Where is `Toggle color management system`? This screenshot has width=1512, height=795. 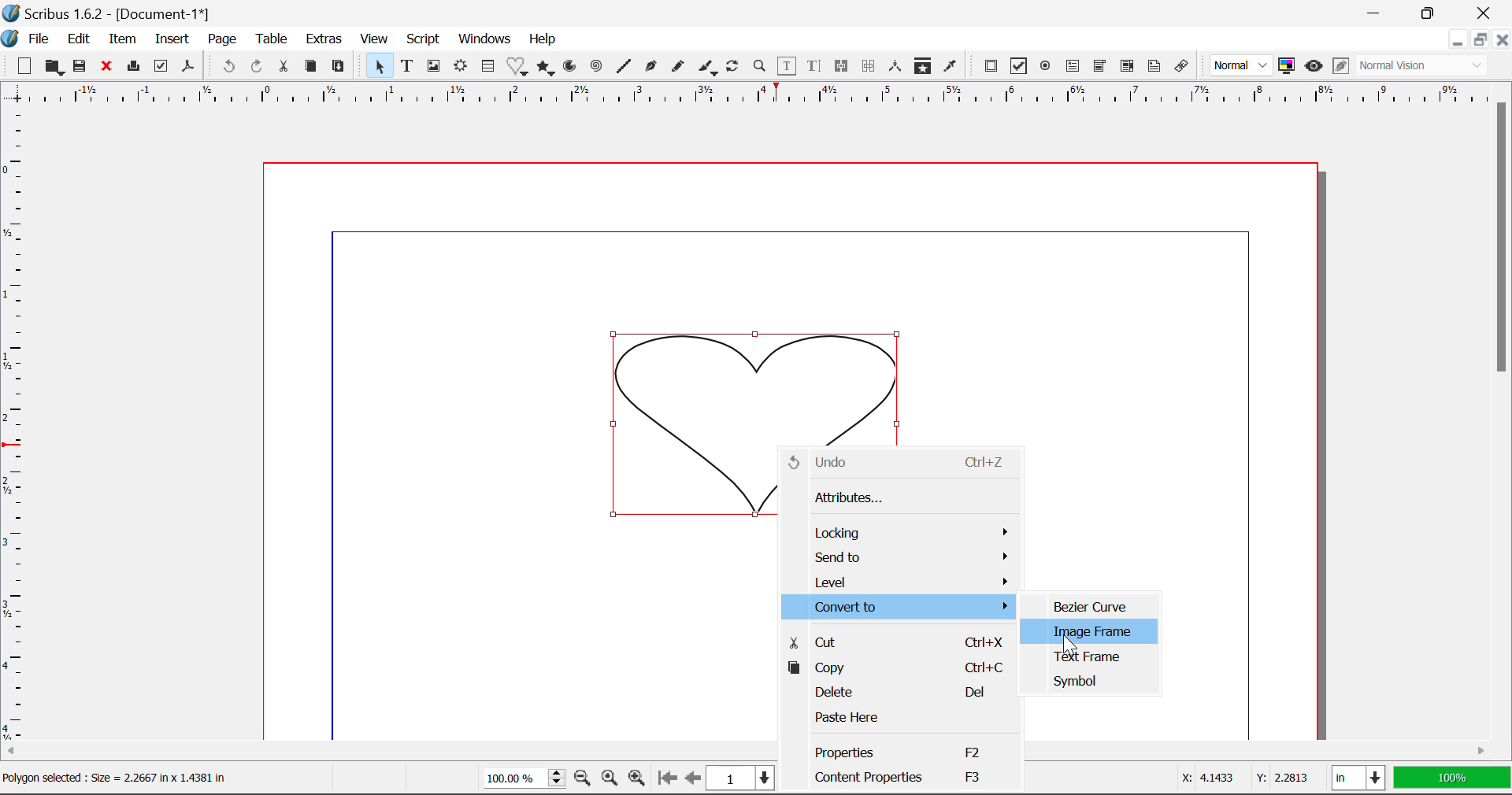 Toggle color management system is located at coordinates (1287, 67).